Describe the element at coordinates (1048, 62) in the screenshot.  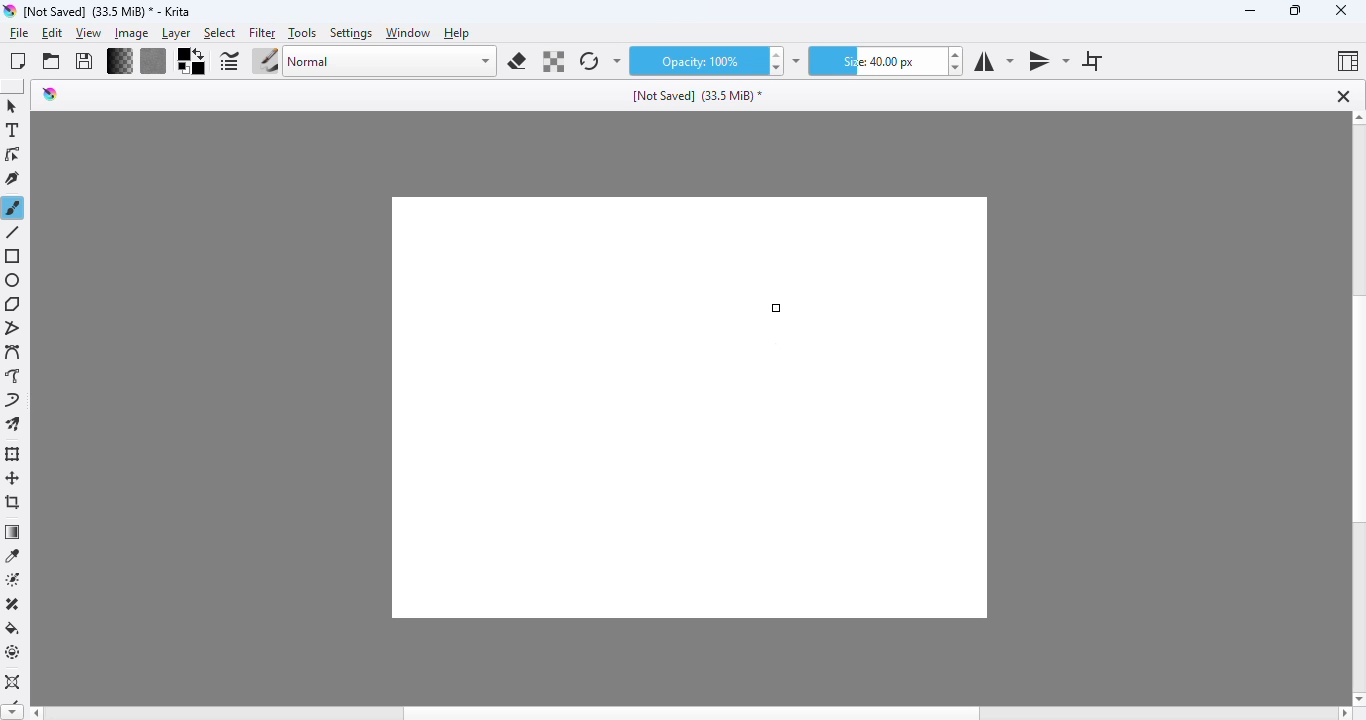
I see `vertical mirror tool` at that location.